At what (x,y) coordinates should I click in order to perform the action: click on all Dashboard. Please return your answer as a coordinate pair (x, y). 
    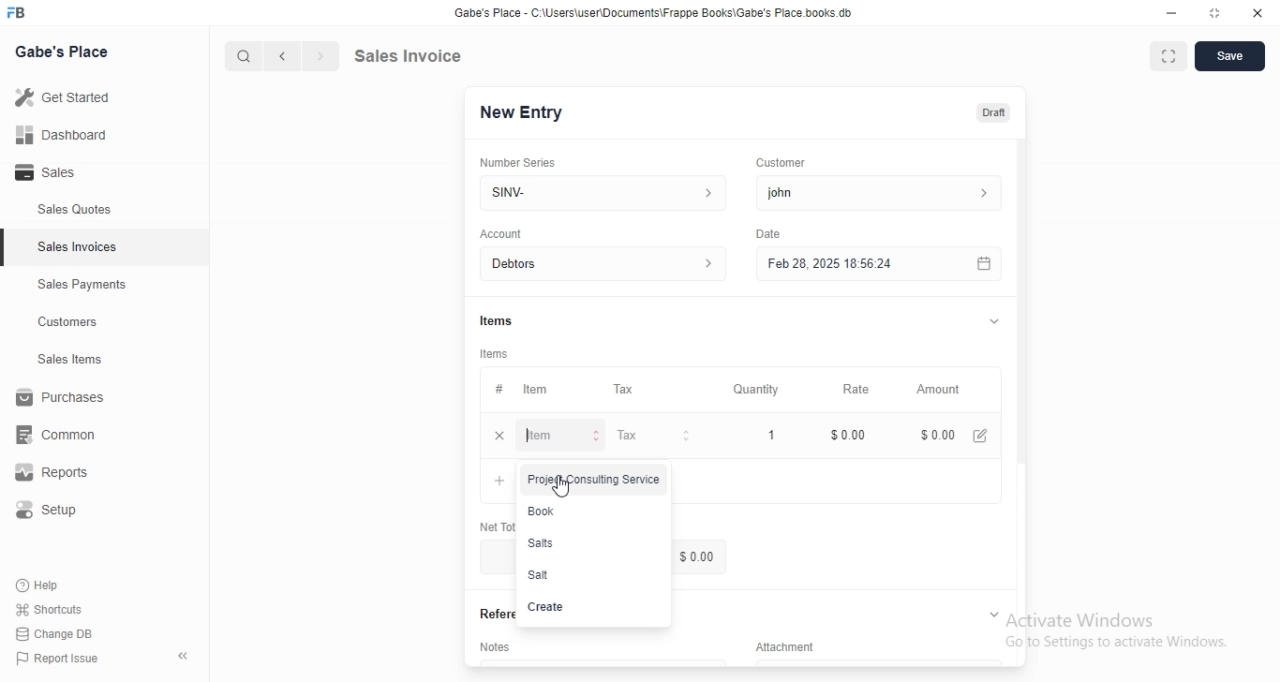
    Looking at the image, I should click on (69, 141).